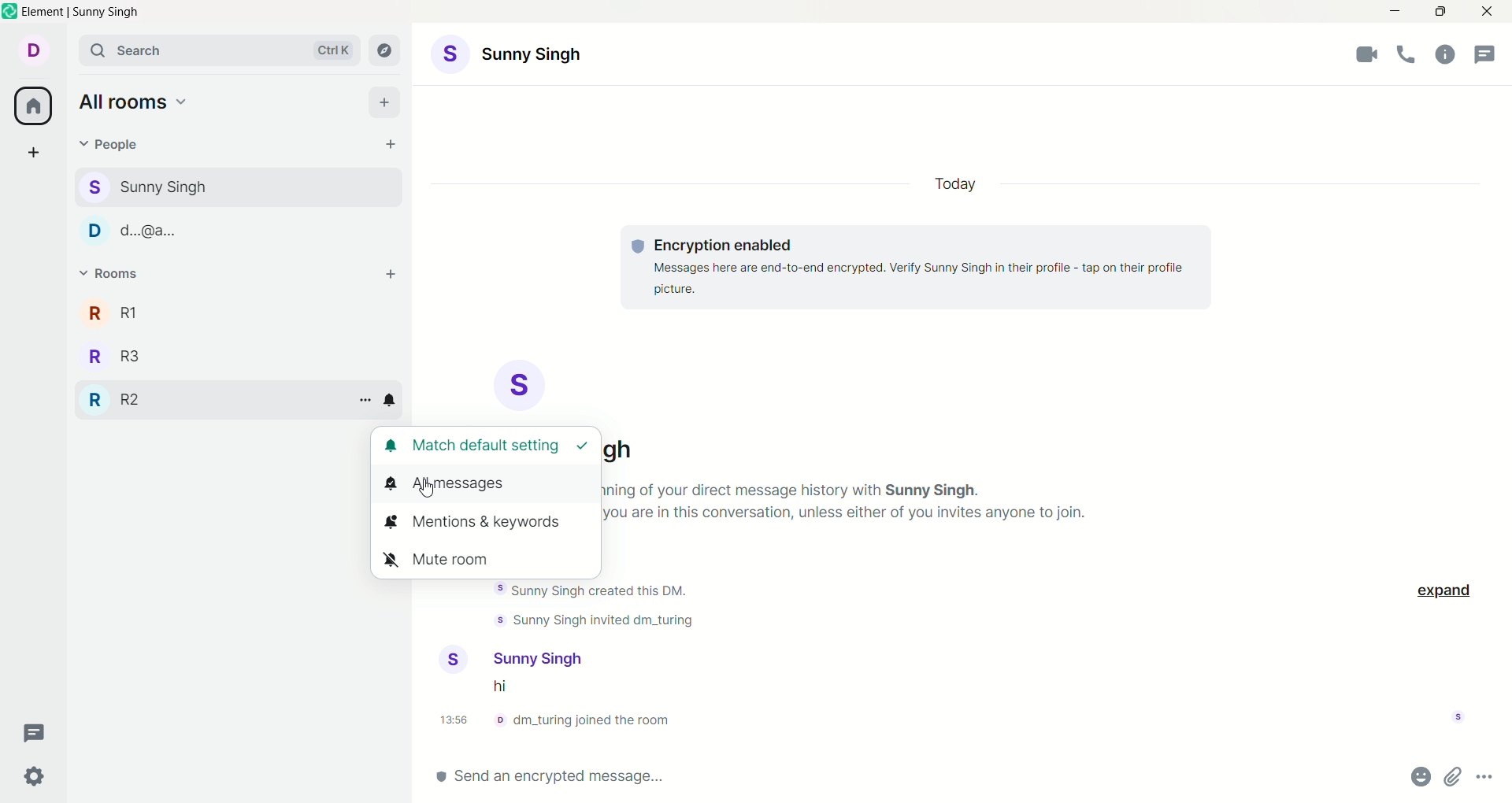  I want to click on people, so click(119, 145).